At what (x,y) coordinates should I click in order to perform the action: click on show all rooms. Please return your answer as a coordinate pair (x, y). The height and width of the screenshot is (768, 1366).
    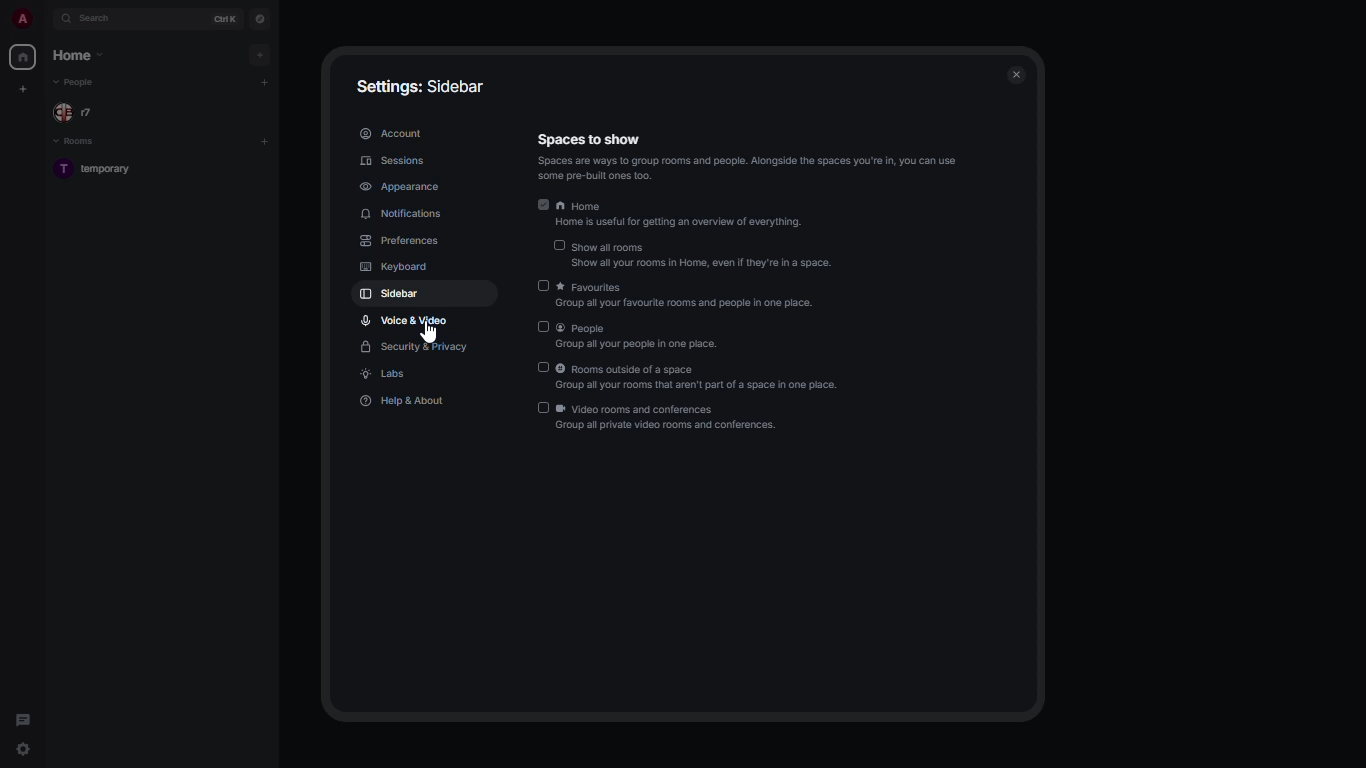
    Looking at the image, I should click on (703, 255).